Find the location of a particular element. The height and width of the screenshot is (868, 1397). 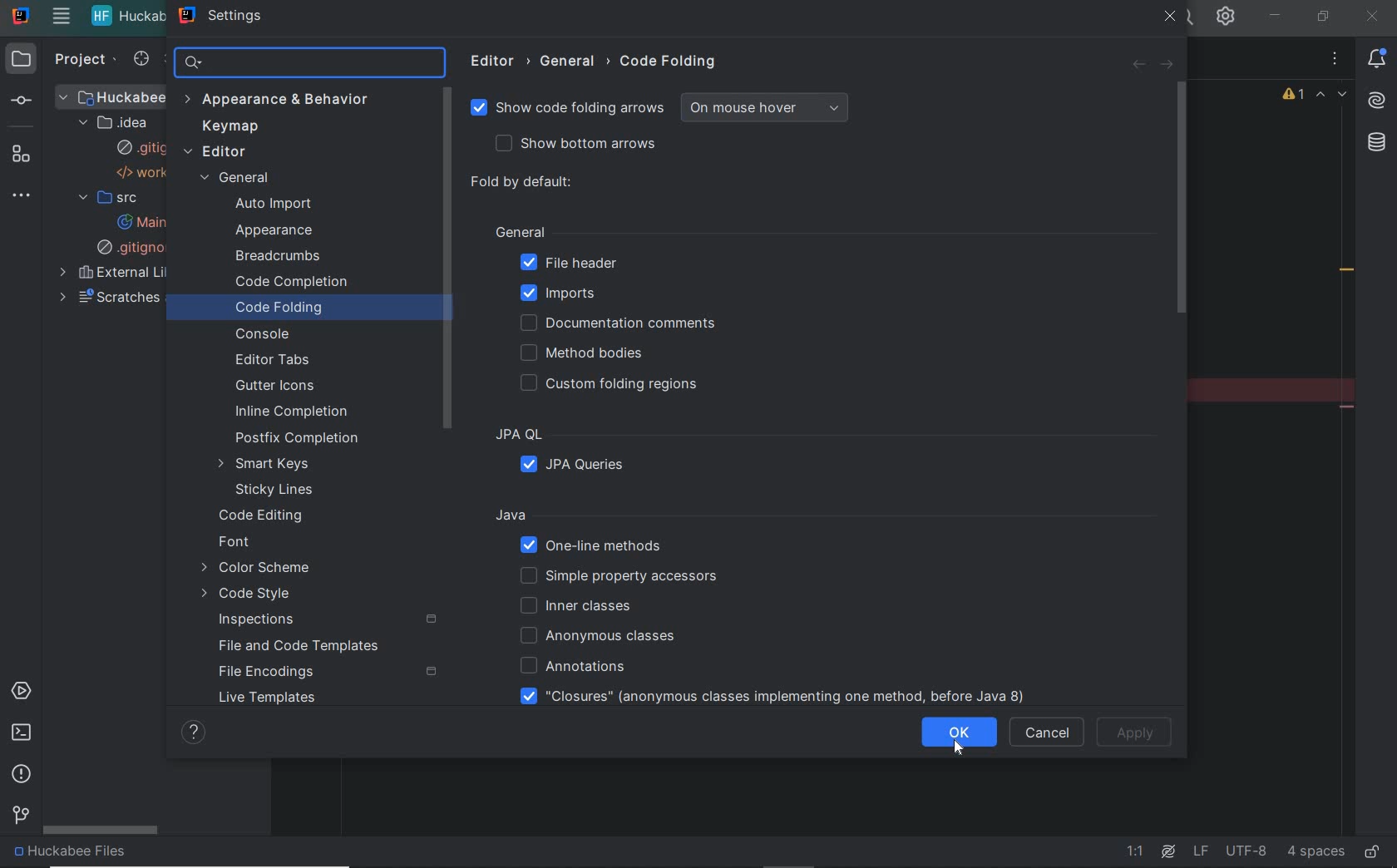

scratches and consoles is located at coordinates (112, 300).